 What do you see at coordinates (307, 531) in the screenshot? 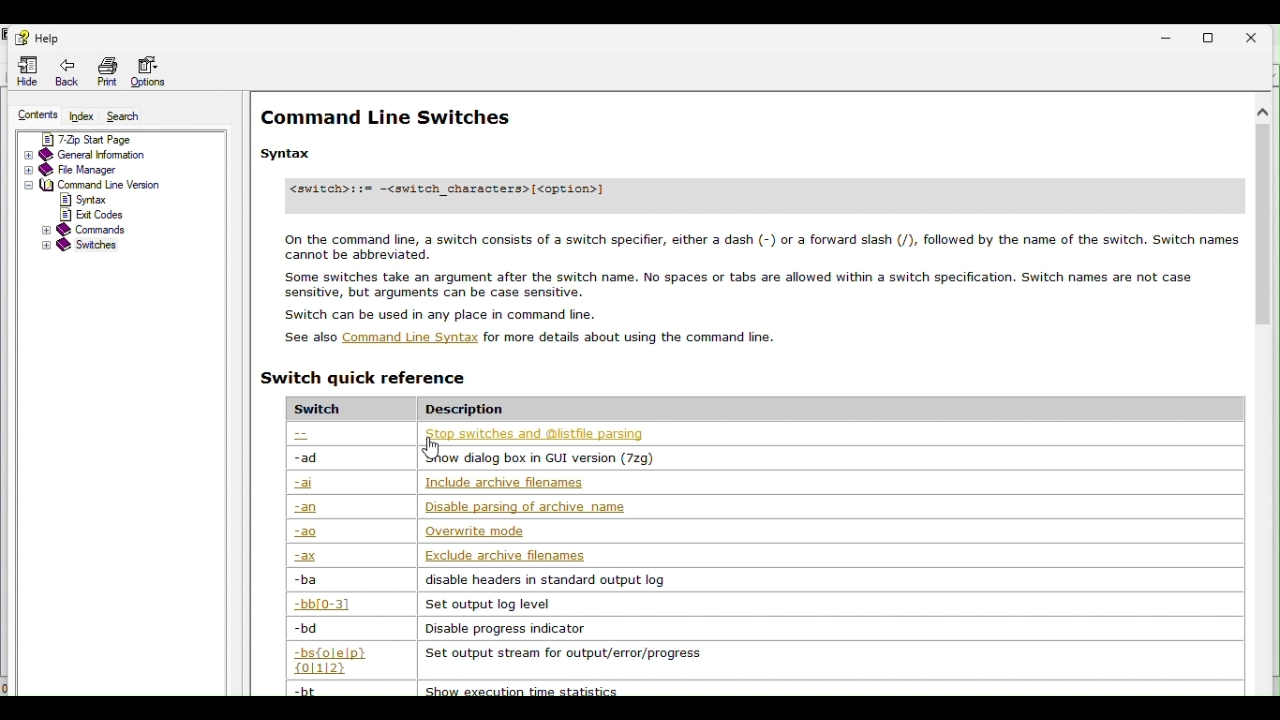
I see `-ao` at bounding box center [307, 531].